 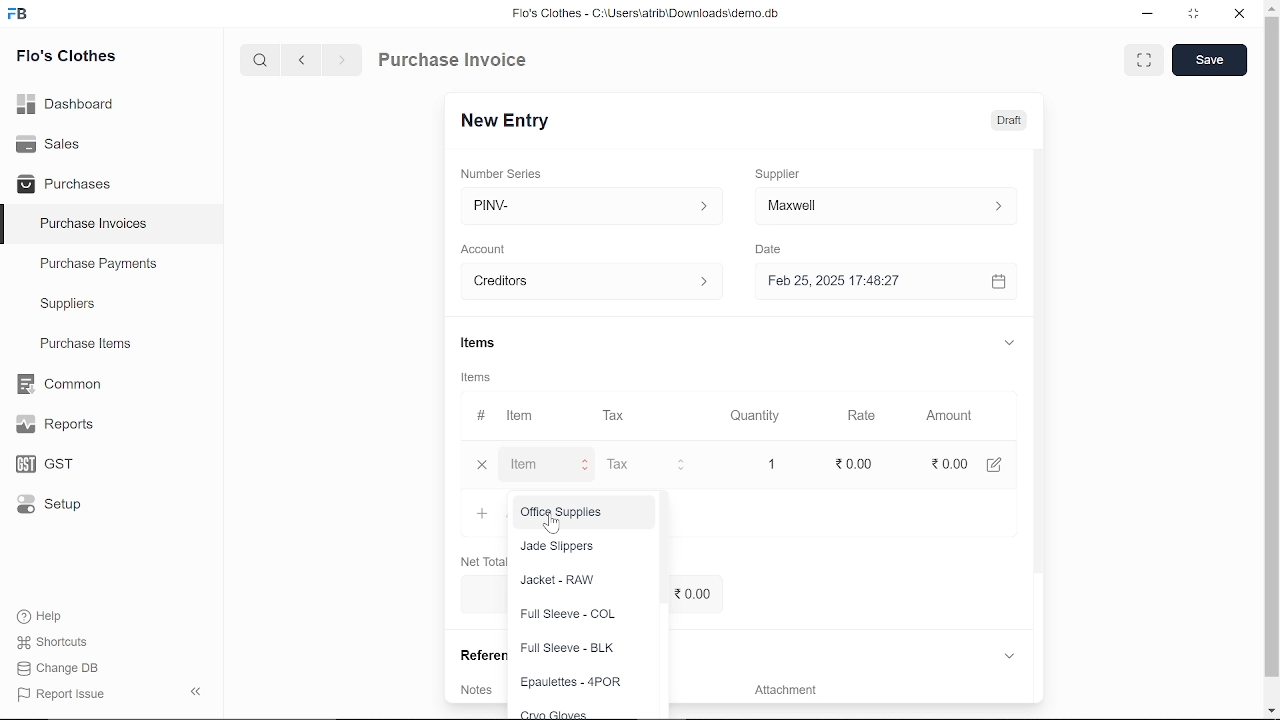 What do you see at coordinates (38, 465) in the screenshot?
I see `GST` at bounding box center [38, 465].